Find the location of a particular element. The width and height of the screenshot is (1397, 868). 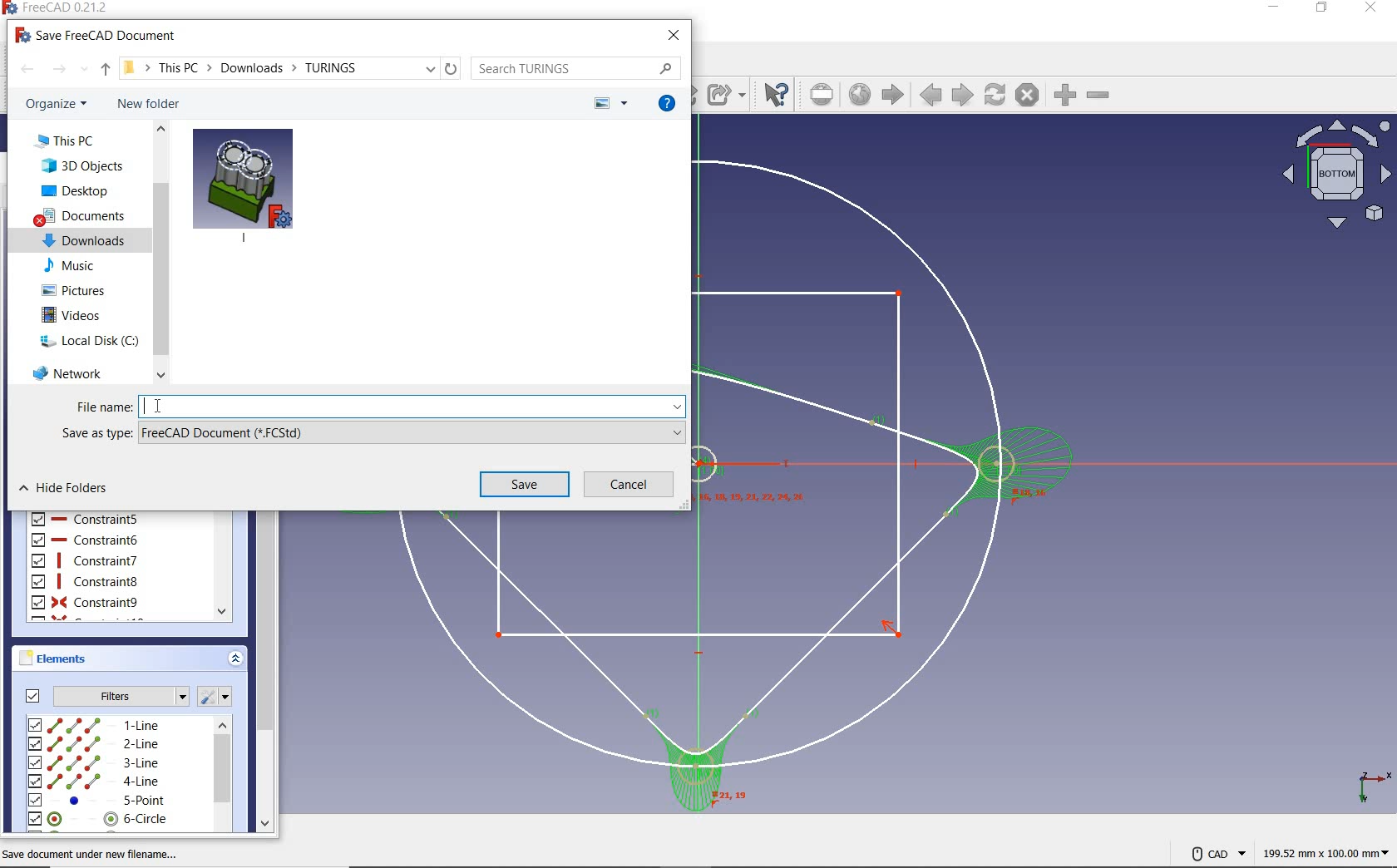

save freeCAD document is located at coordinates (96, 34).